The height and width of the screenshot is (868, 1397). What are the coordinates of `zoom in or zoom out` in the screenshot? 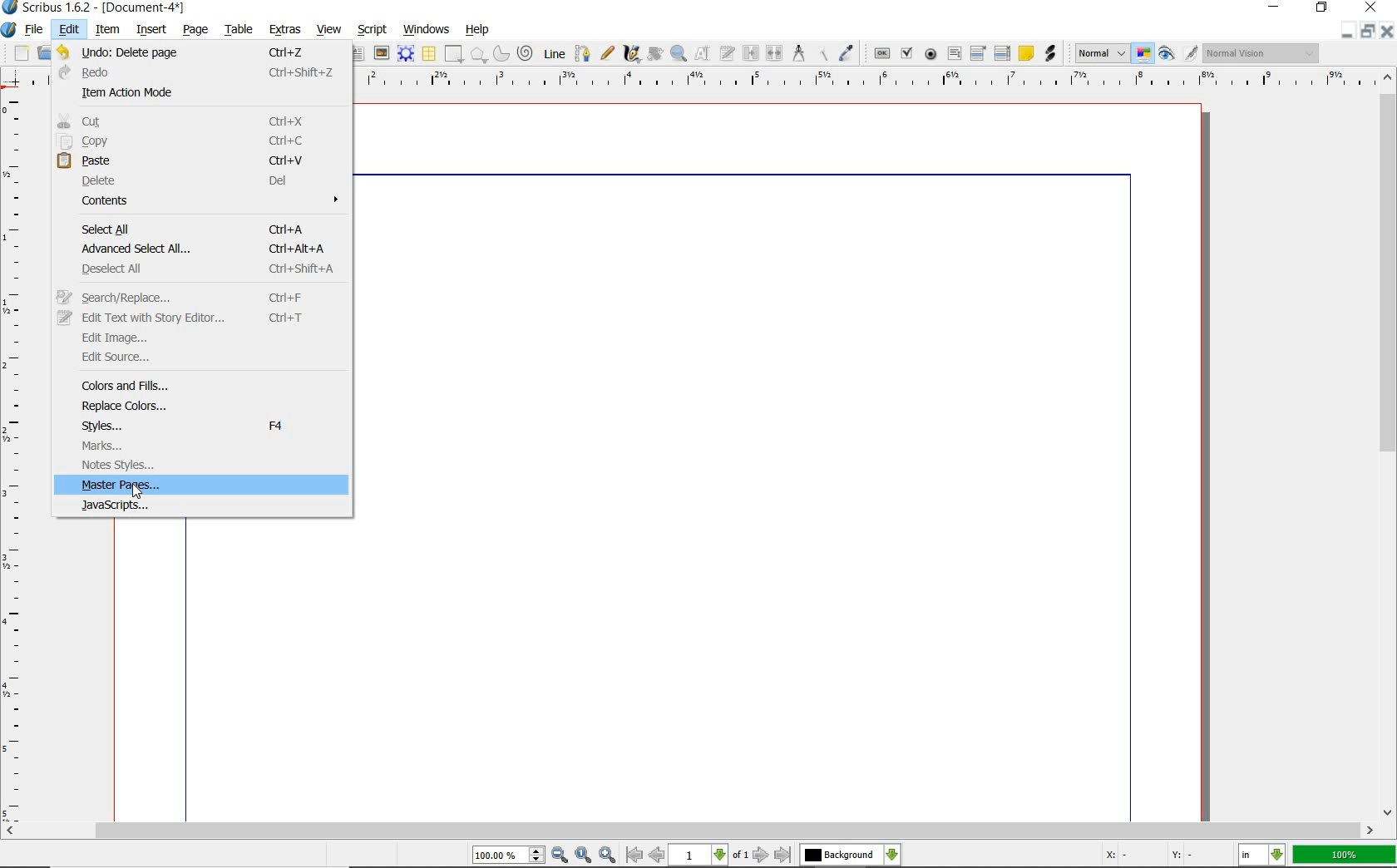 It's located at (679, 53).